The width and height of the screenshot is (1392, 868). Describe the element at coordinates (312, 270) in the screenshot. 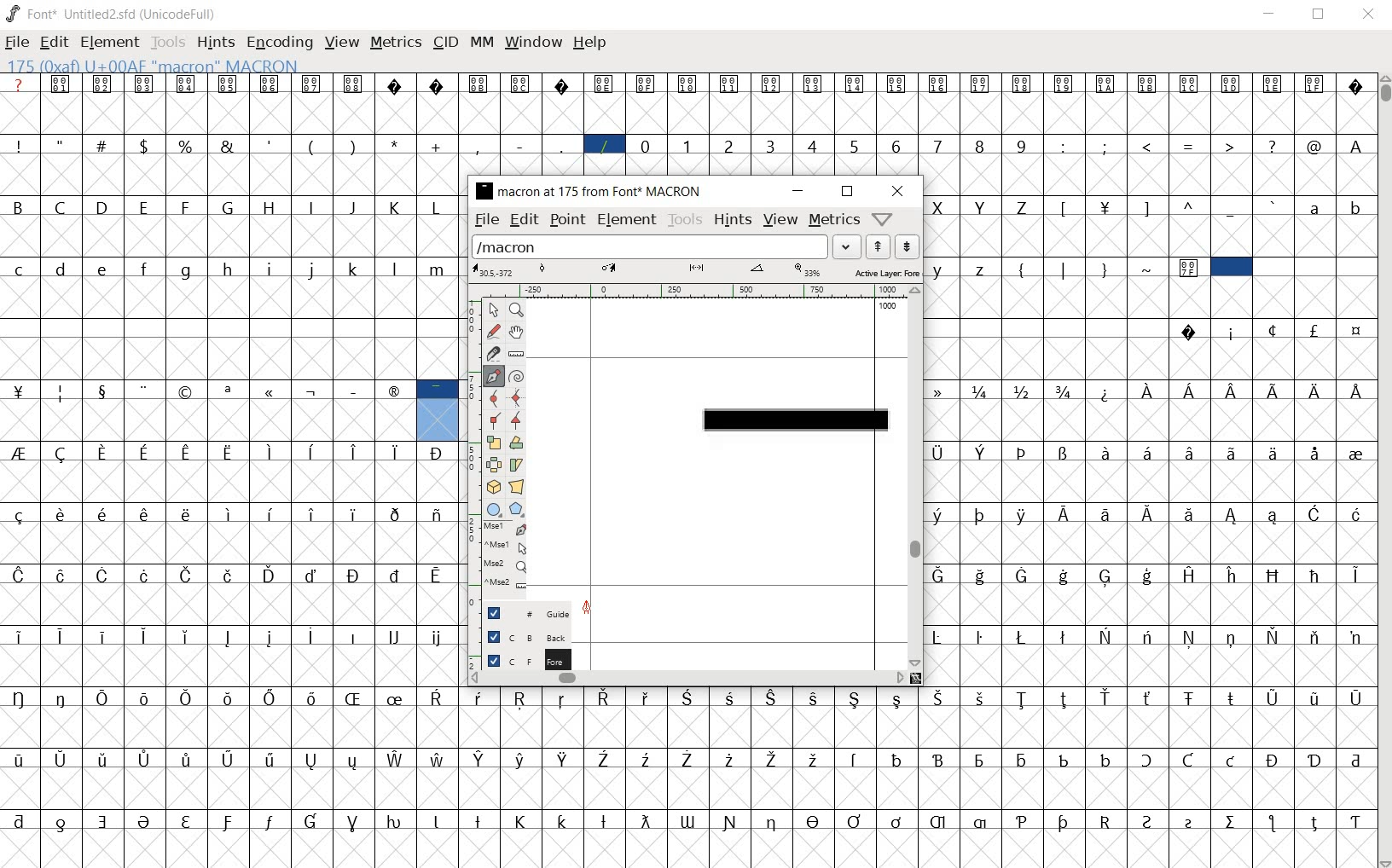

I see `j` at that location.